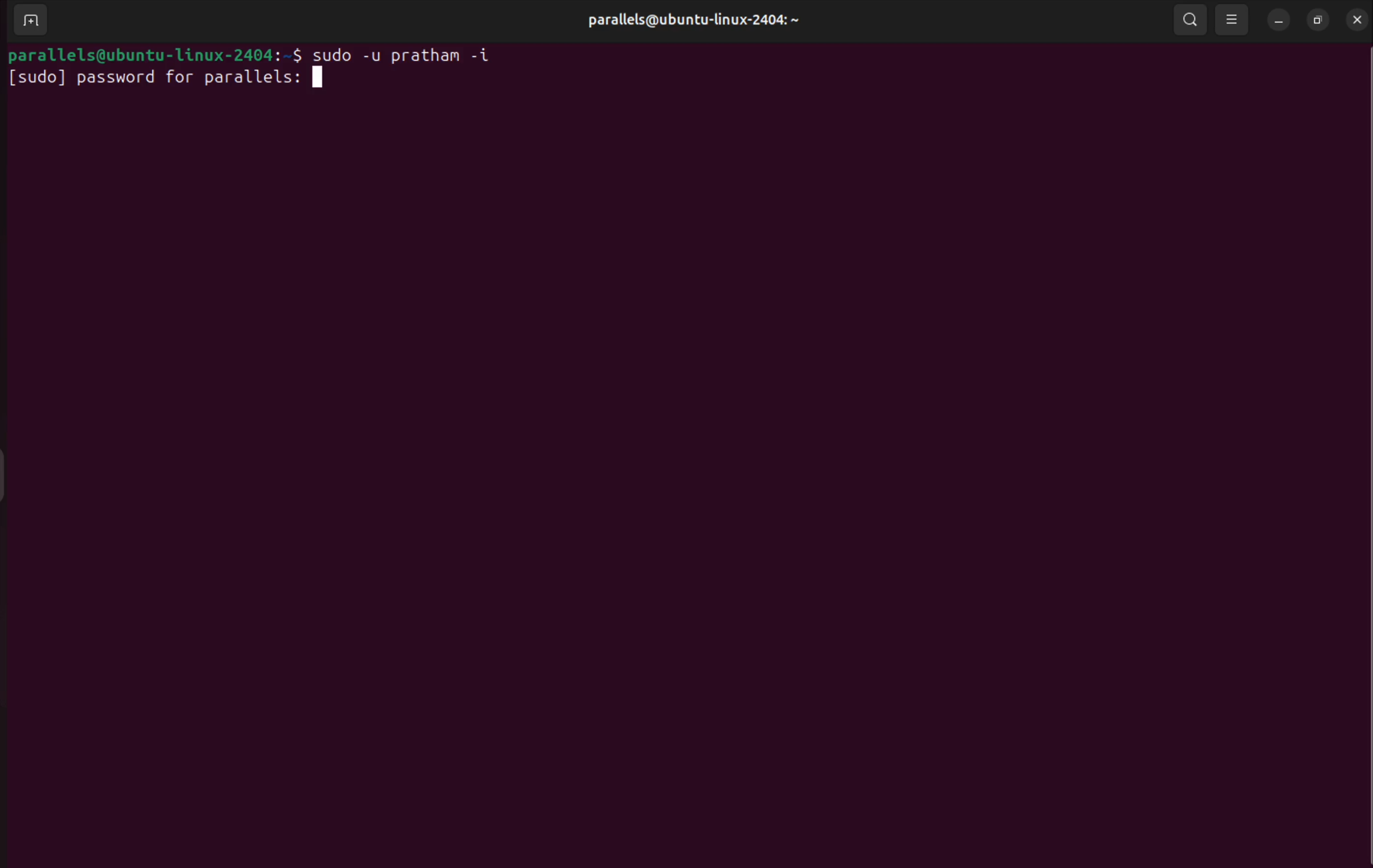 This screenshot has height=868, width=1373. I want to click on bash prompt, so click(152, 52).